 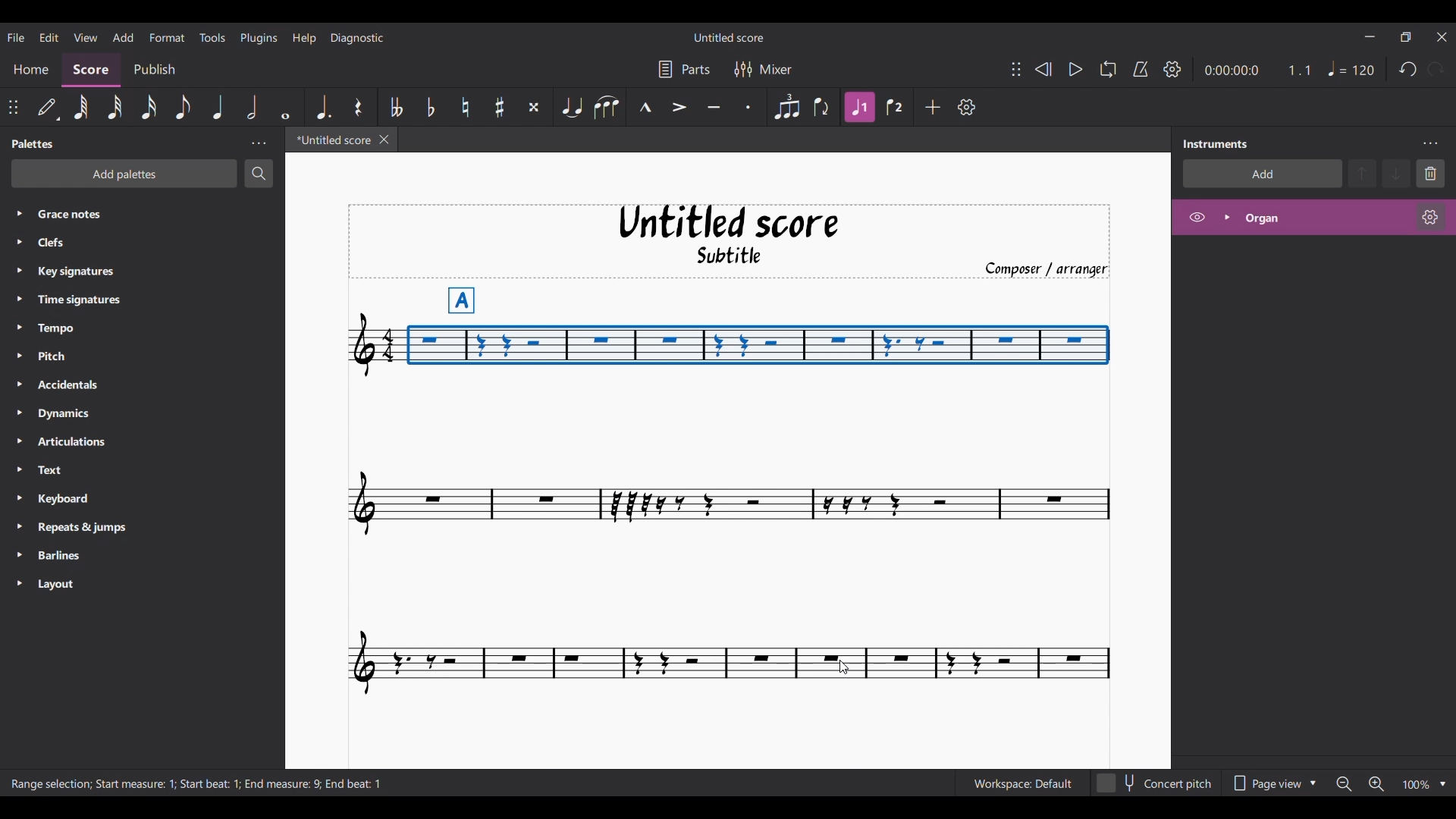 I want to click on Show in a smaller interface, so click(x=1405, y=37).